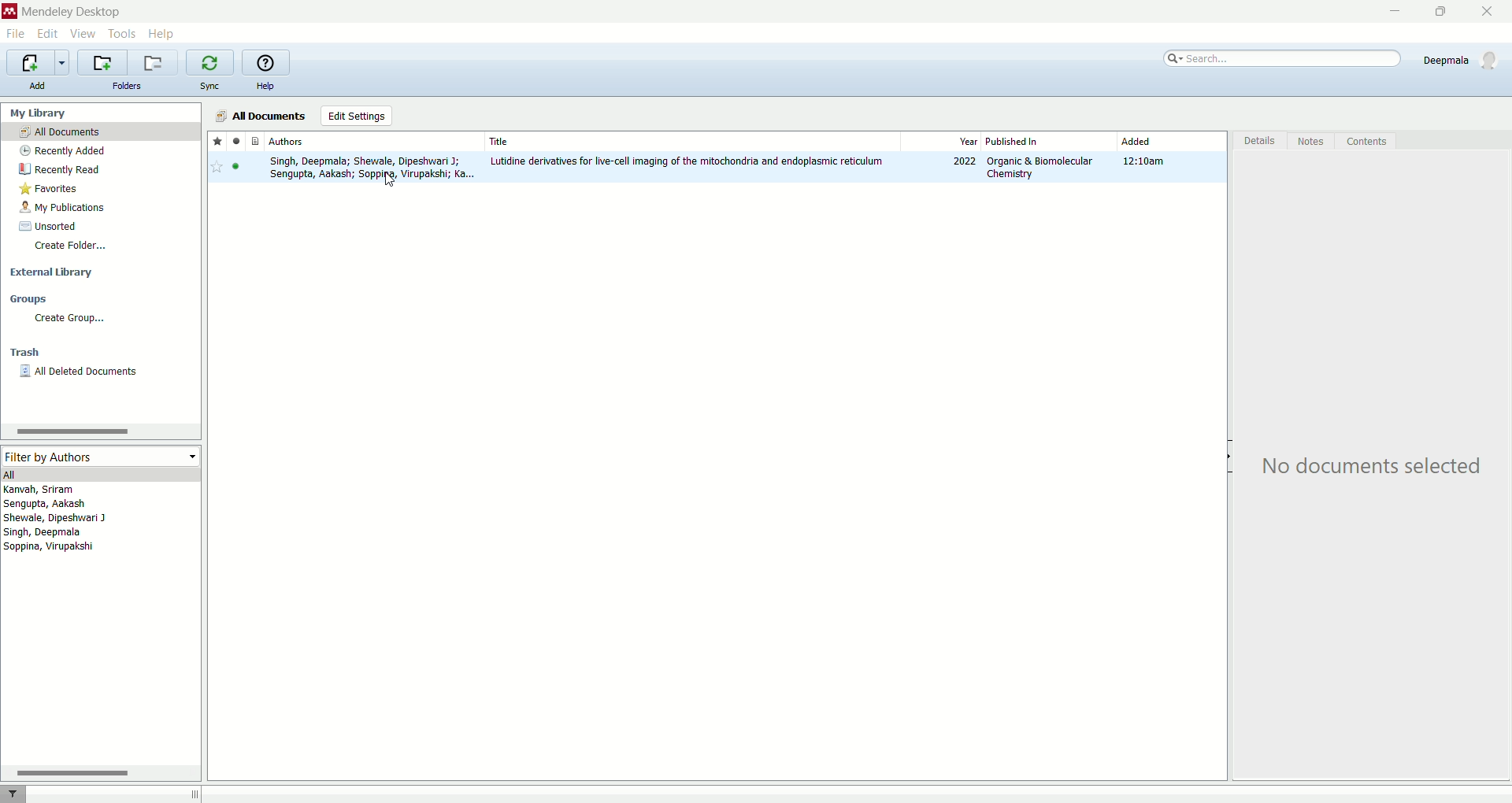 The image size is (1512, 803). I want to click on documents, so click(256, 142).